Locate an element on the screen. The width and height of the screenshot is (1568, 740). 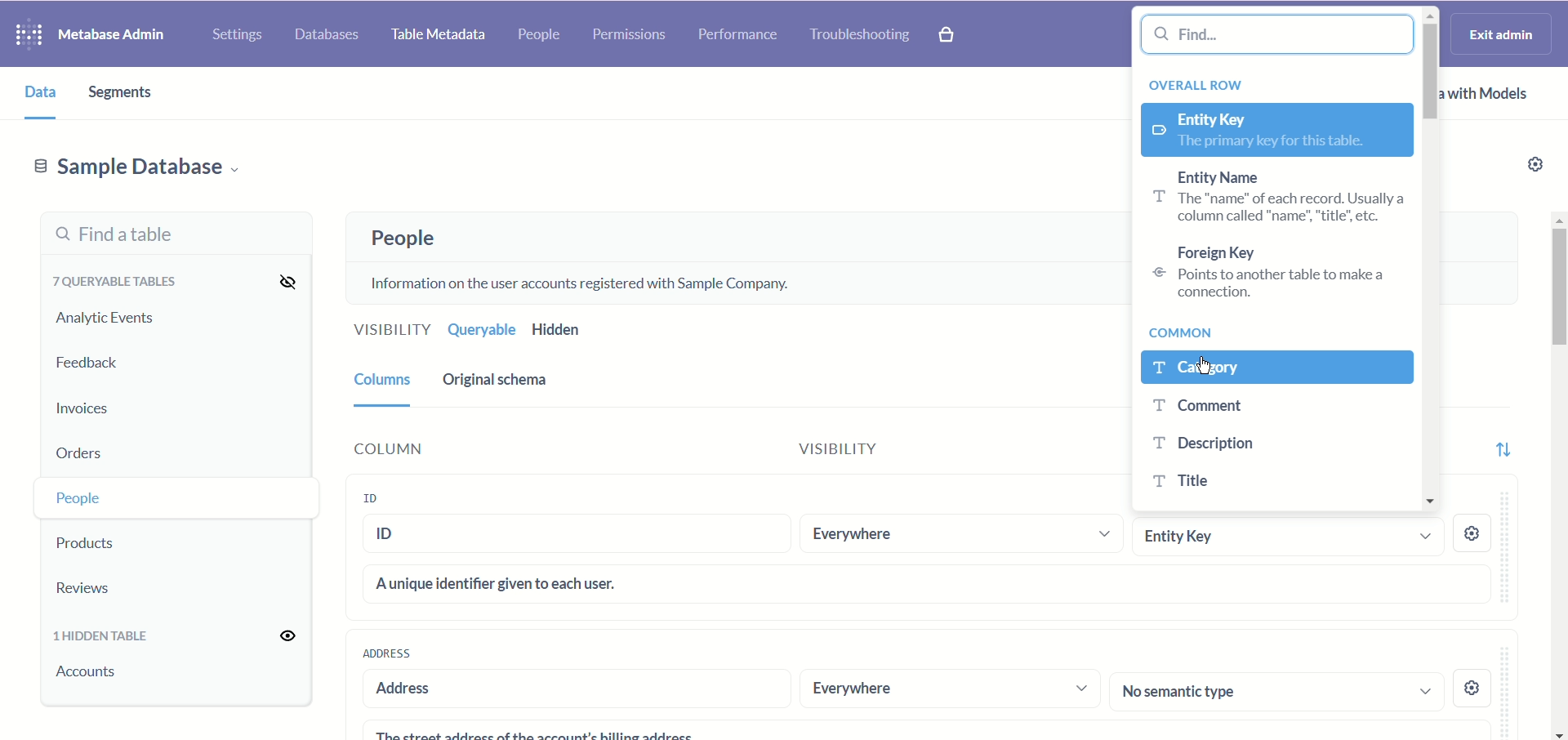
settings is located at coordinates (1474, 536).